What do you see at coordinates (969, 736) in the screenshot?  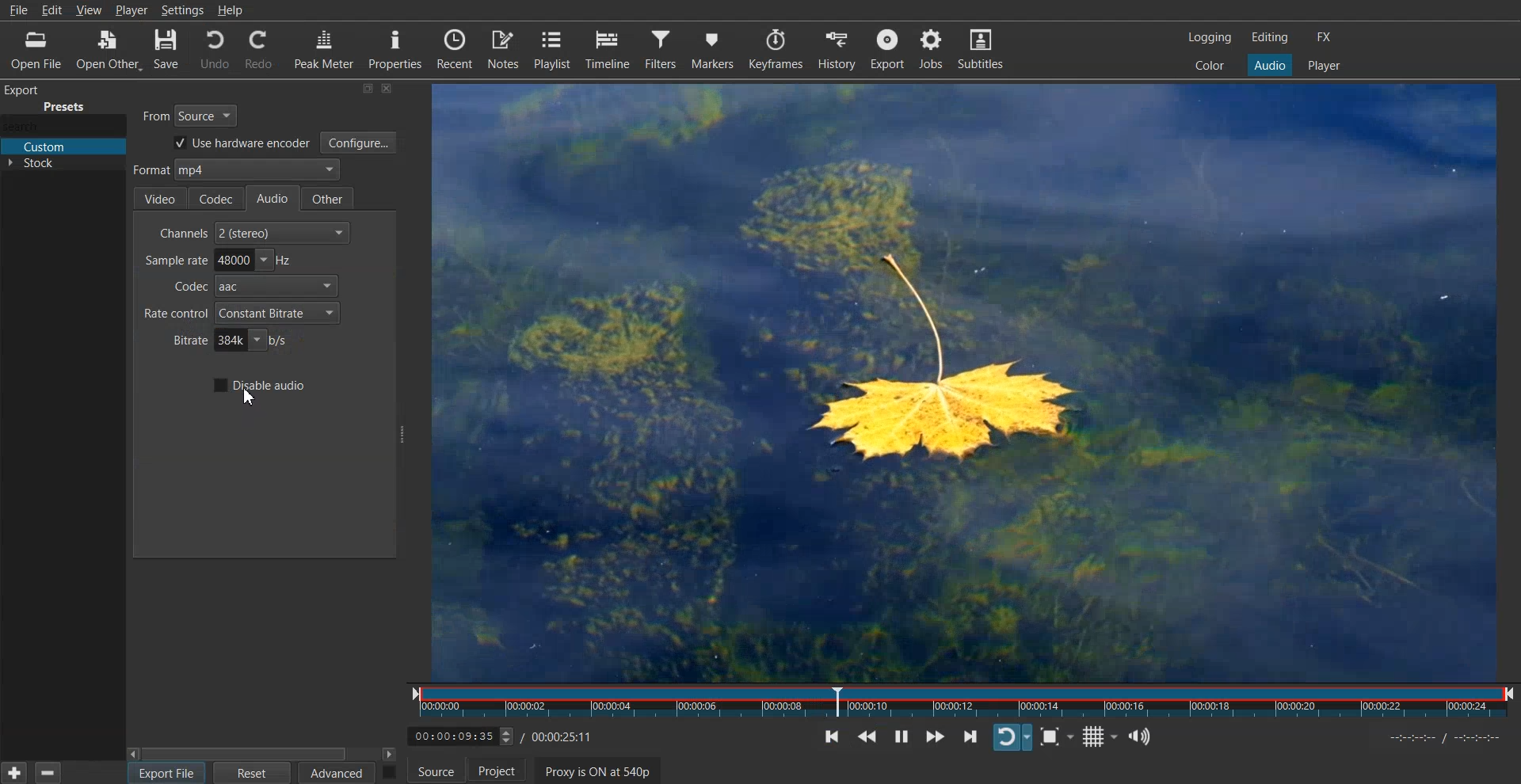 I see `Skip to the next point` at bounding box center [969, 736].